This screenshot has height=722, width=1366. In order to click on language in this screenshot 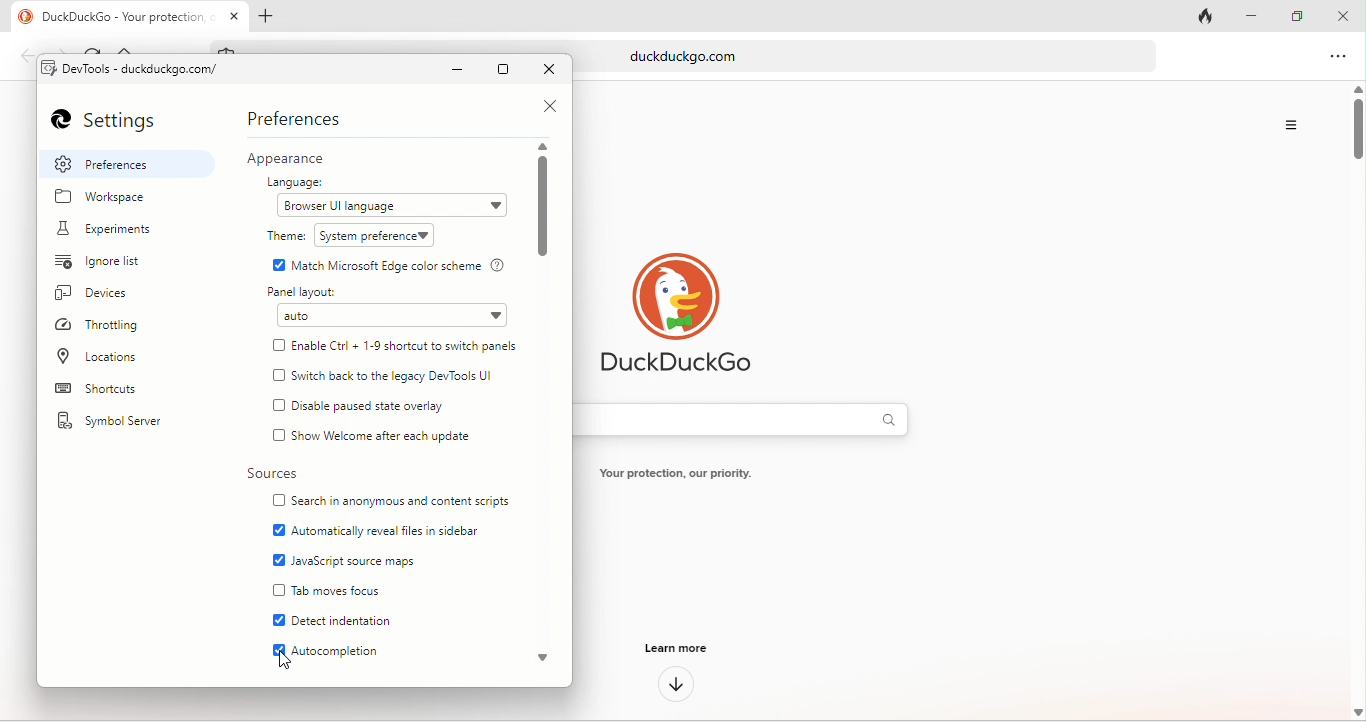, I will do `click(302, 182)`.